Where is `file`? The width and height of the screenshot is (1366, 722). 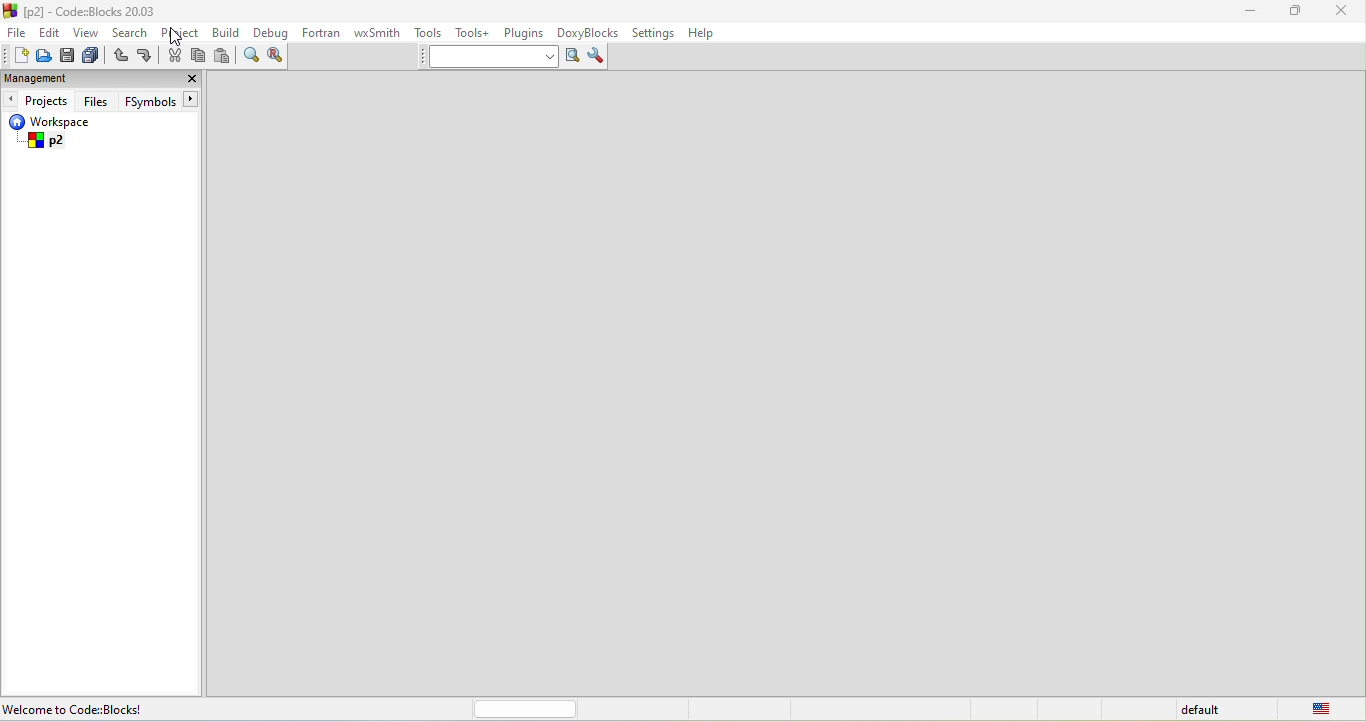
file is located at coordinates (15, 32).